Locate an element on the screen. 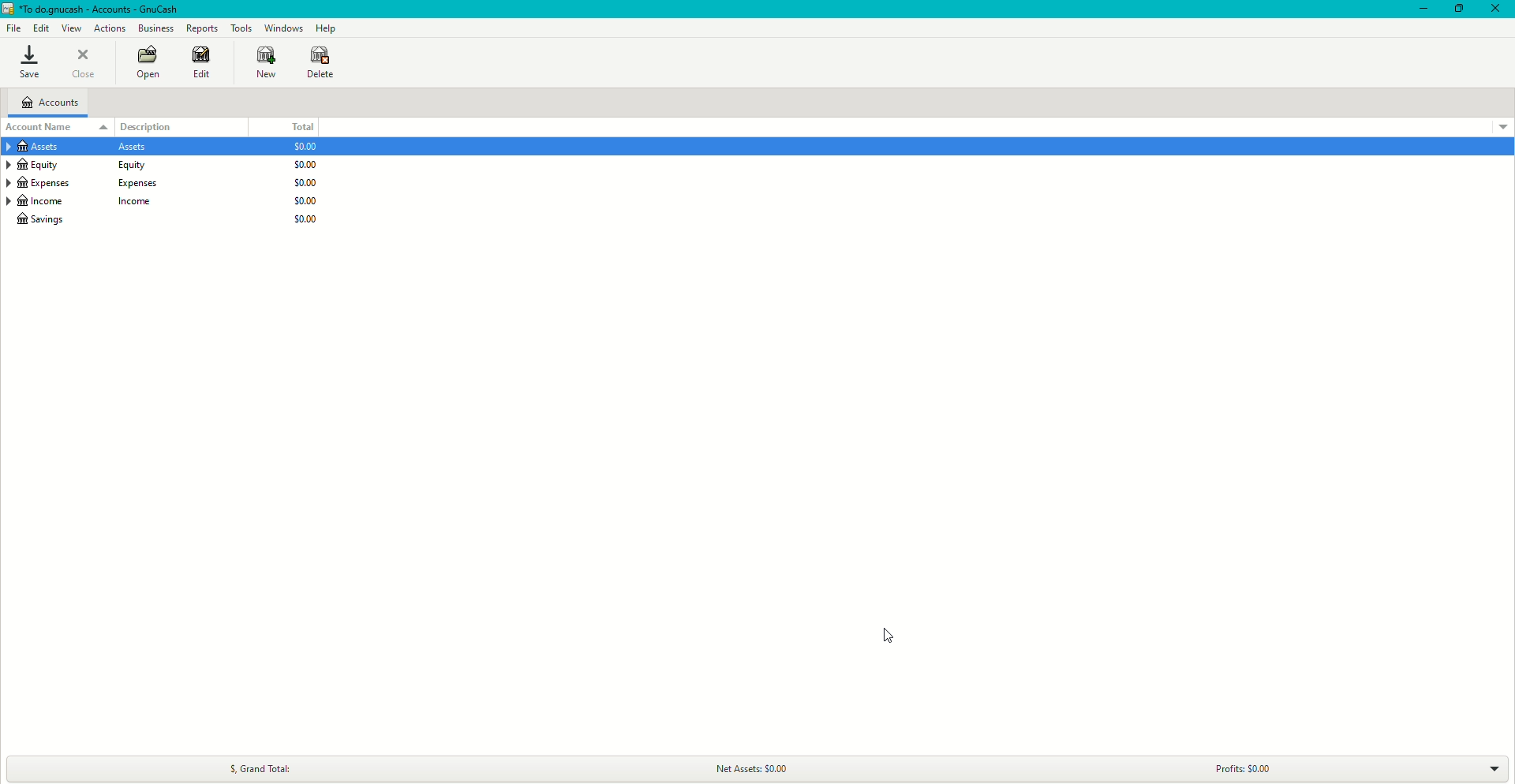 This screenshot has width=1515, height=784. Save is located at coordinates (28, 63).